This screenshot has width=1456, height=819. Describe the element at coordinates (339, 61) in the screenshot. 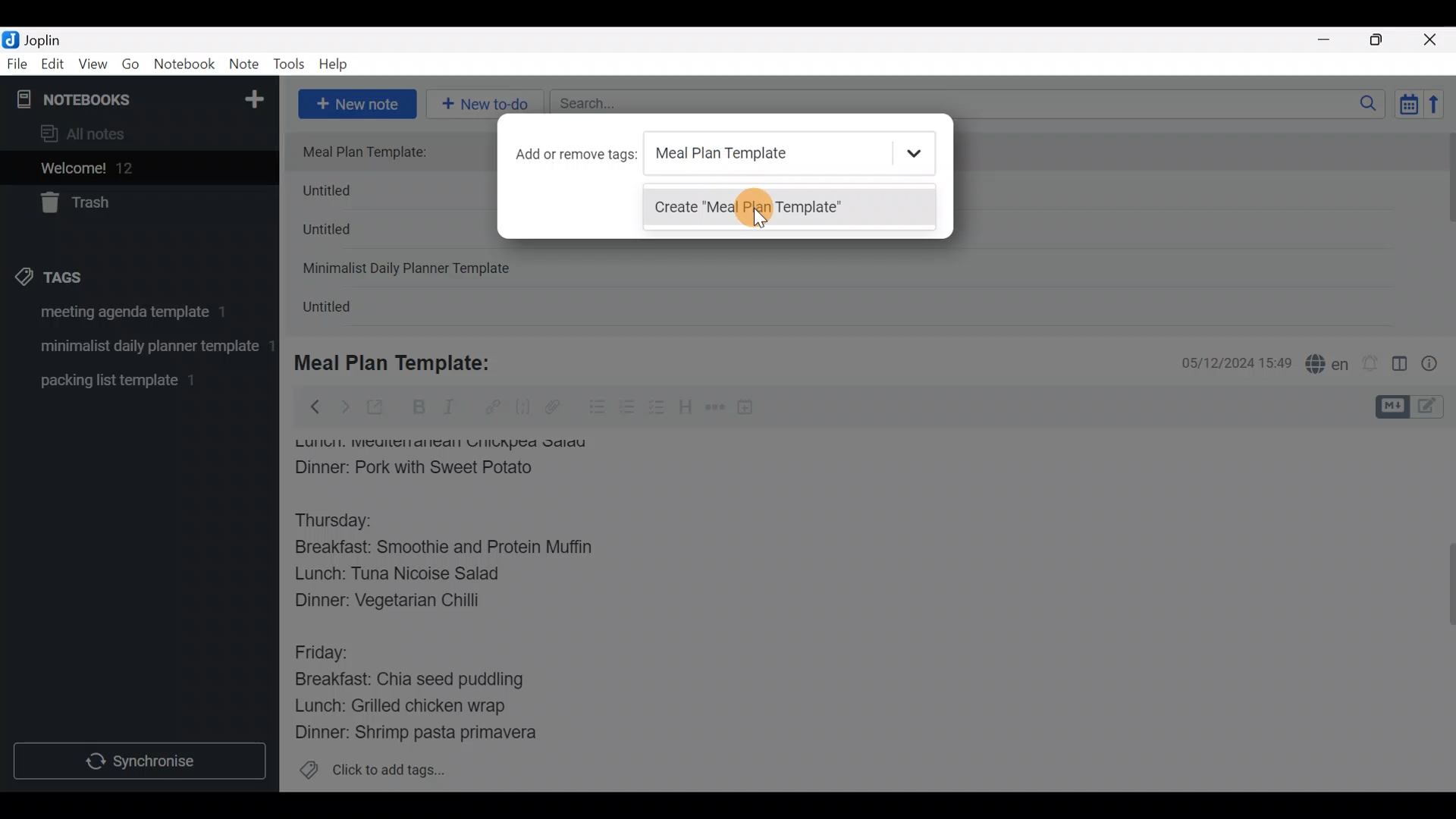

I see `Help` at that location.